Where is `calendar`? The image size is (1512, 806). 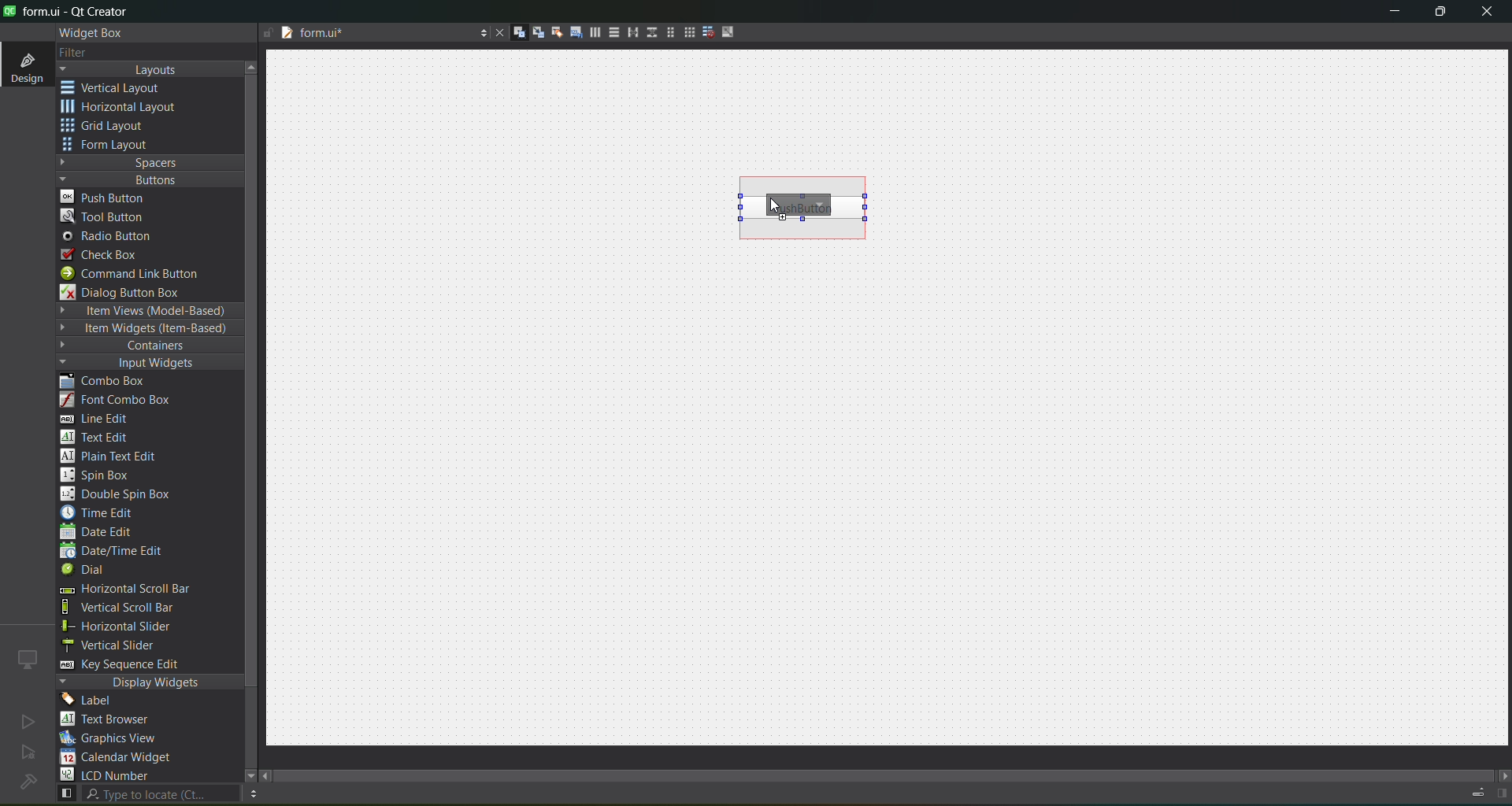
calendar is located at coordinates (118, 759).